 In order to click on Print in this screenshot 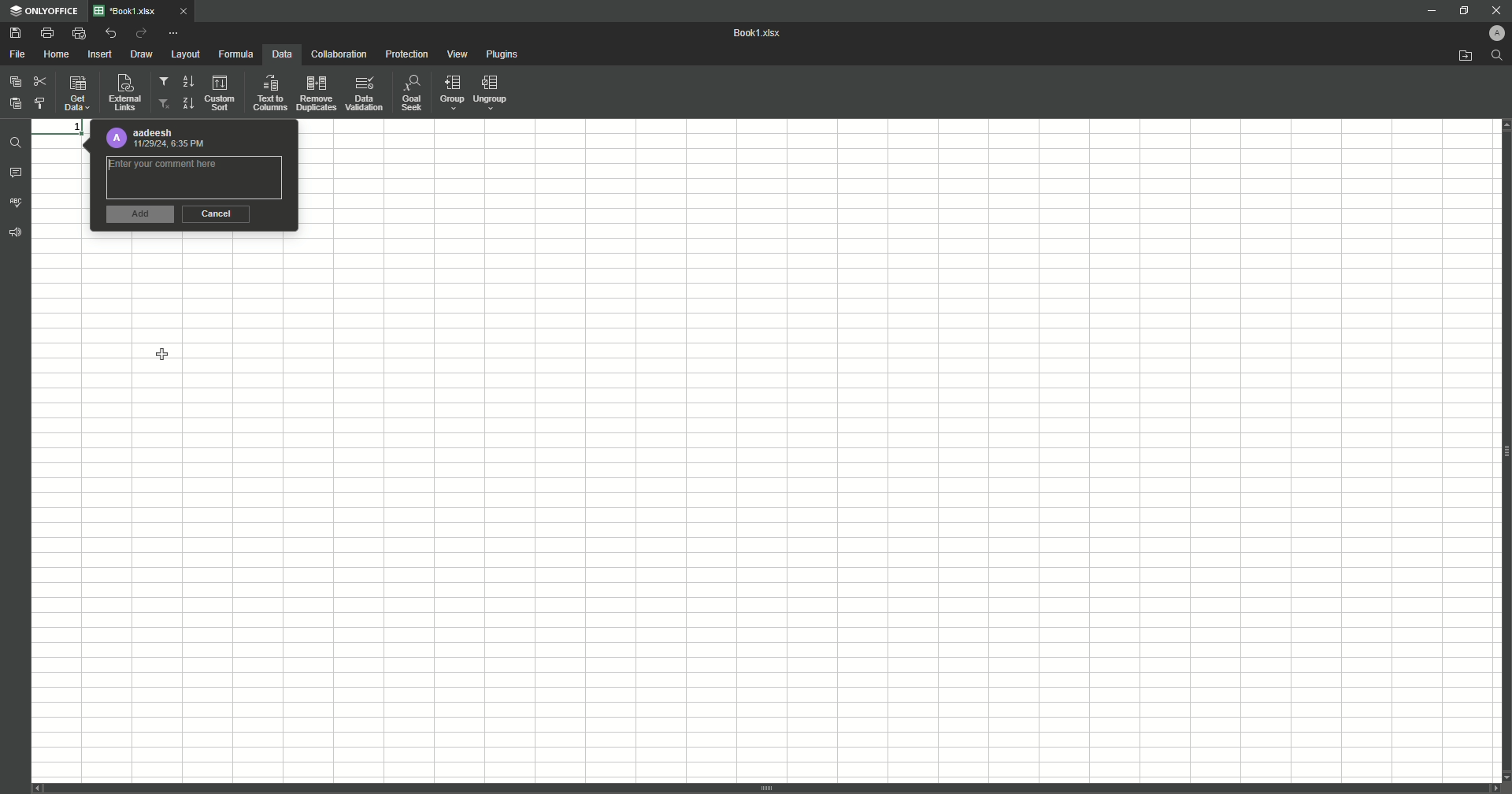, I will do `click(46, 33)`.